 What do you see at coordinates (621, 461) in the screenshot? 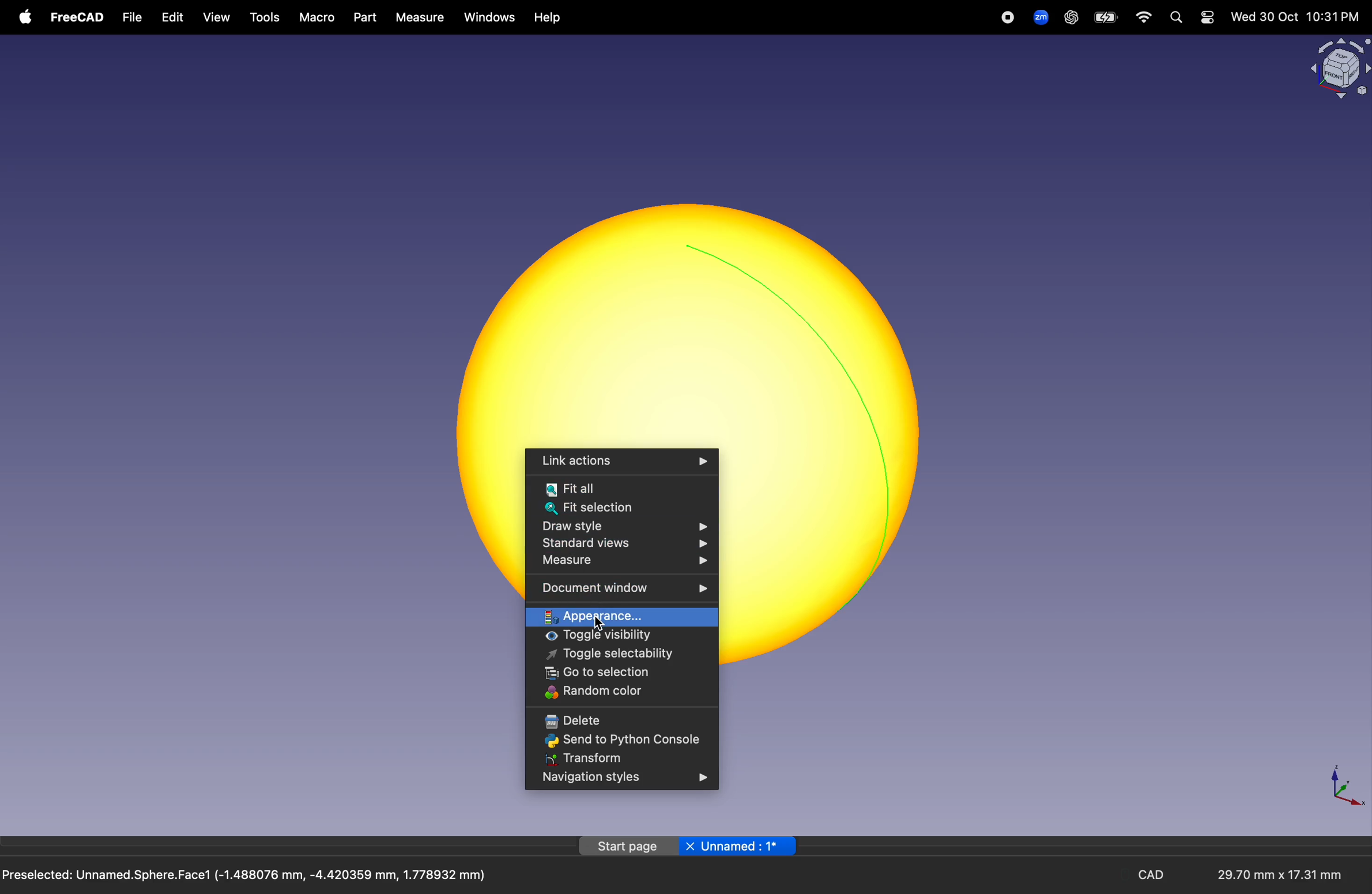
I see `link actions` at bounding box center [621, 461].